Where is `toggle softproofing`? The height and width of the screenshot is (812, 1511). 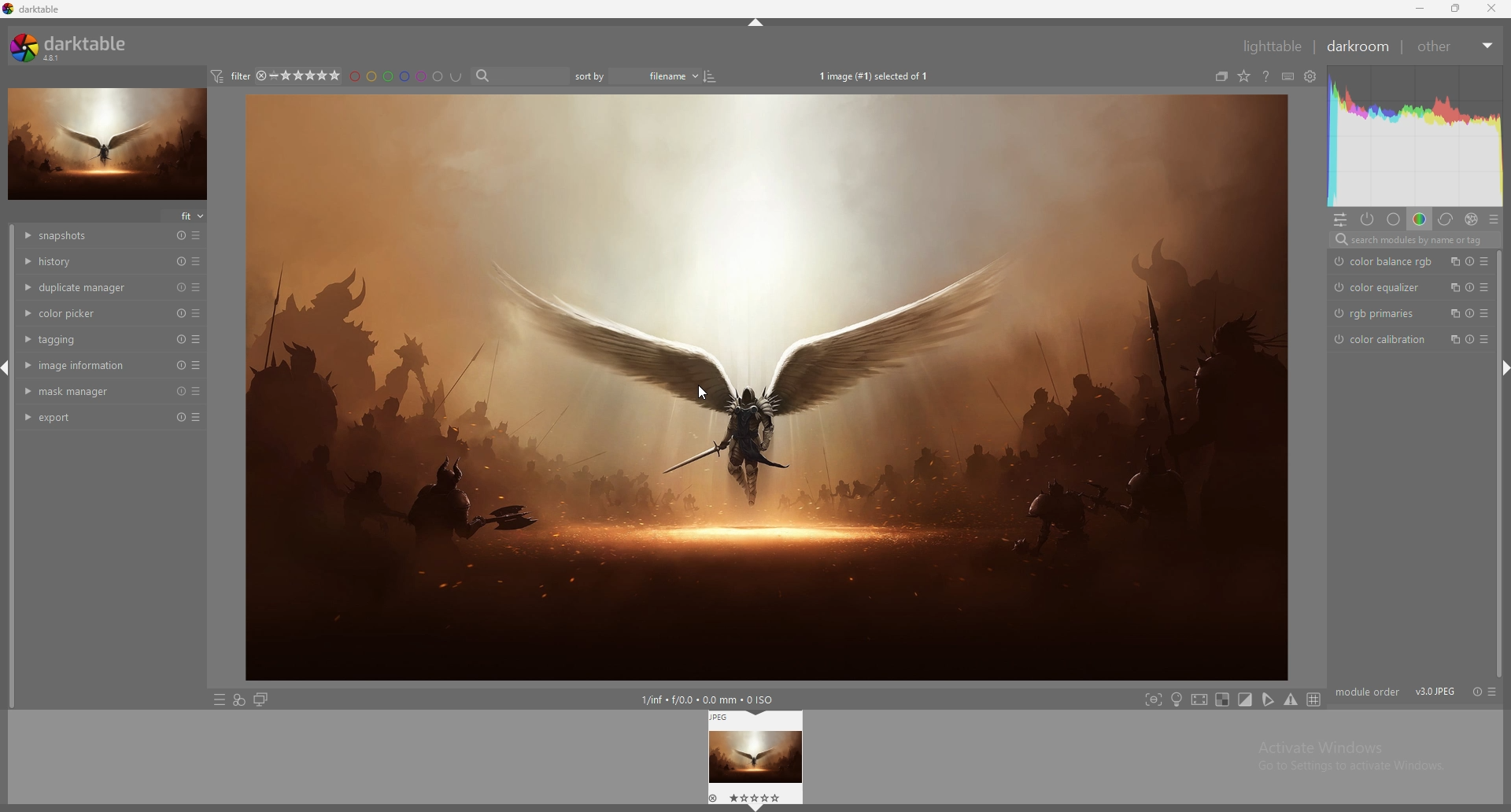
toggle softproofing is located at coordinates (1269, 700).